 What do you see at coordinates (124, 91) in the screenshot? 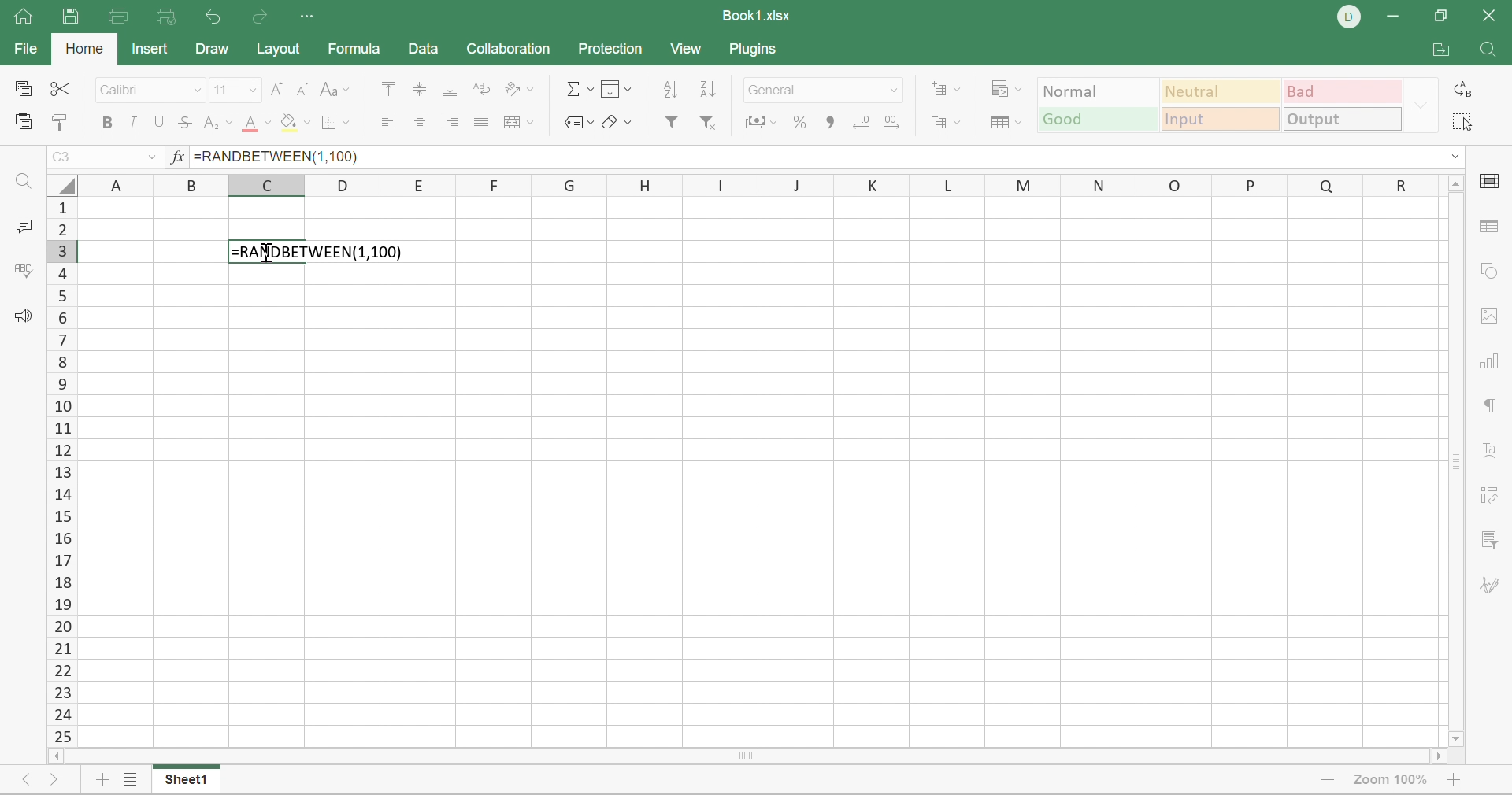
I see `Calibri` at bounding box center [124, 91].